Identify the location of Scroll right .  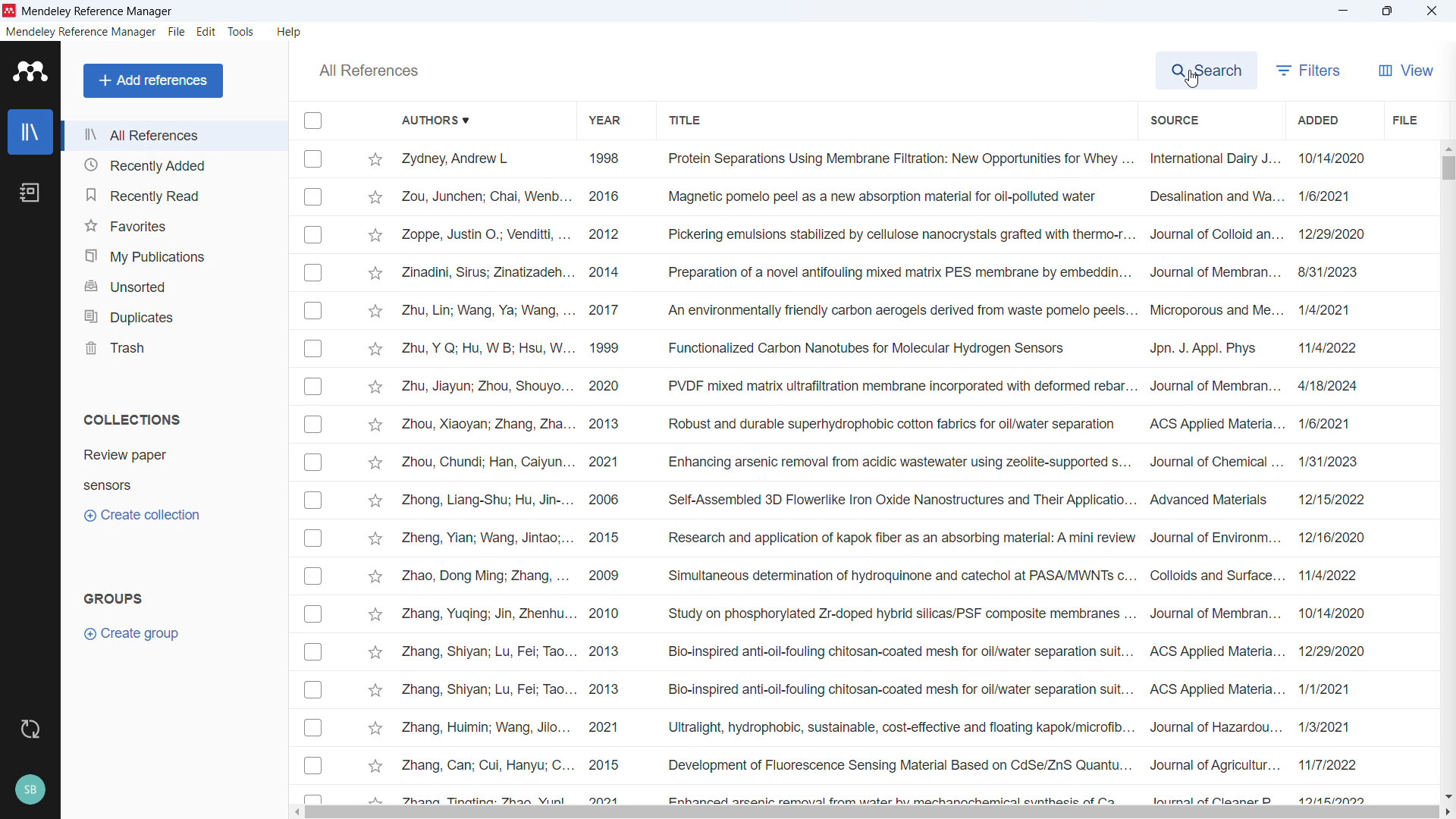
(1447, 813).